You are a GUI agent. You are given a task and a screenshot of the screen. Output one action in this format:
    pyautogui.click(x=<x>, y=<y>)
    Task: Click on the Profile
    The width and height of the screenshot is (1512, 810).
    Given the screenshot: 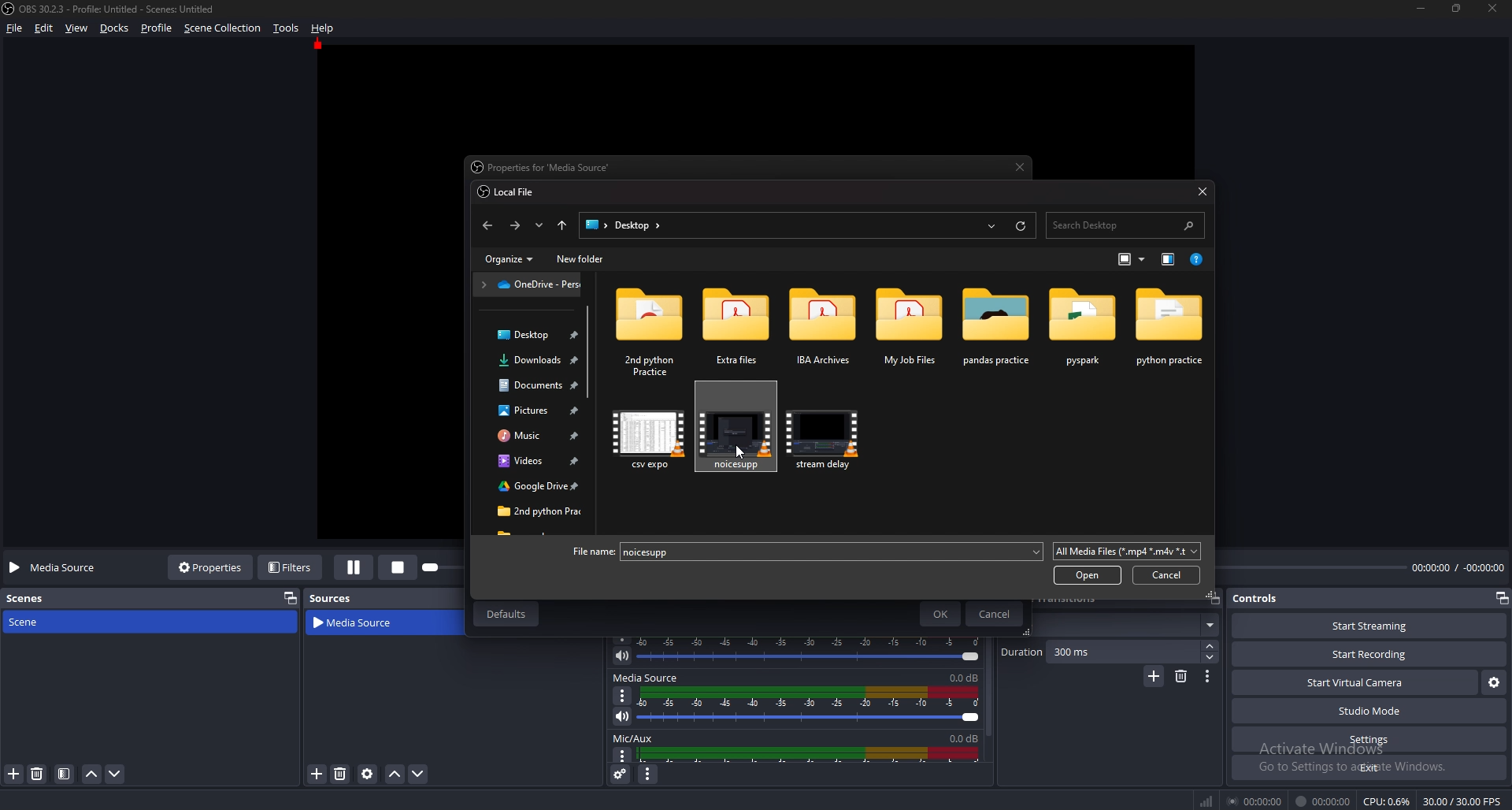 What is the action you would take?
    pyautogui.click(x=156, y=28)
    